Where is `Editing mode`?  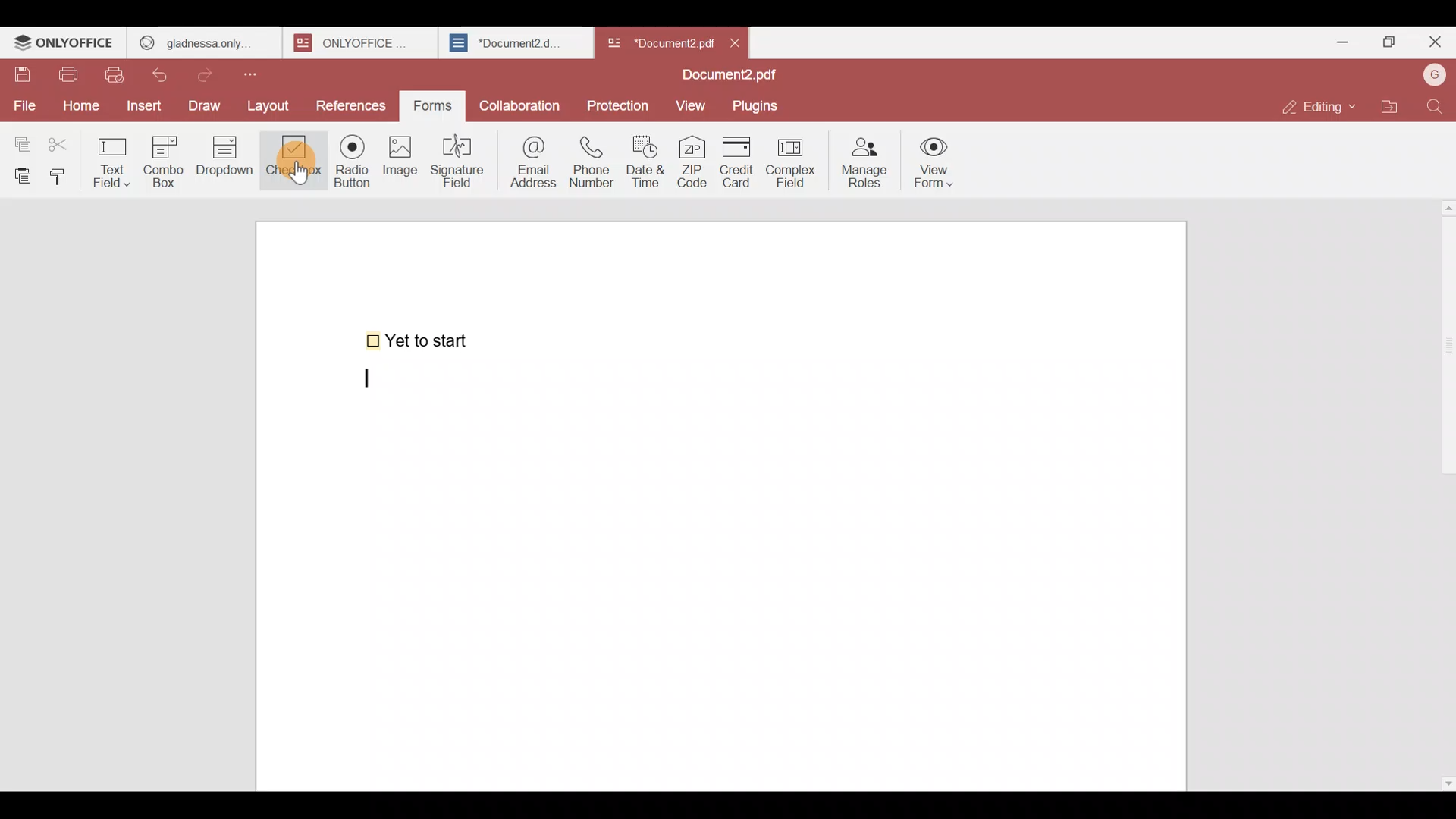
Editing mode is located at coordinates (1316, 107).